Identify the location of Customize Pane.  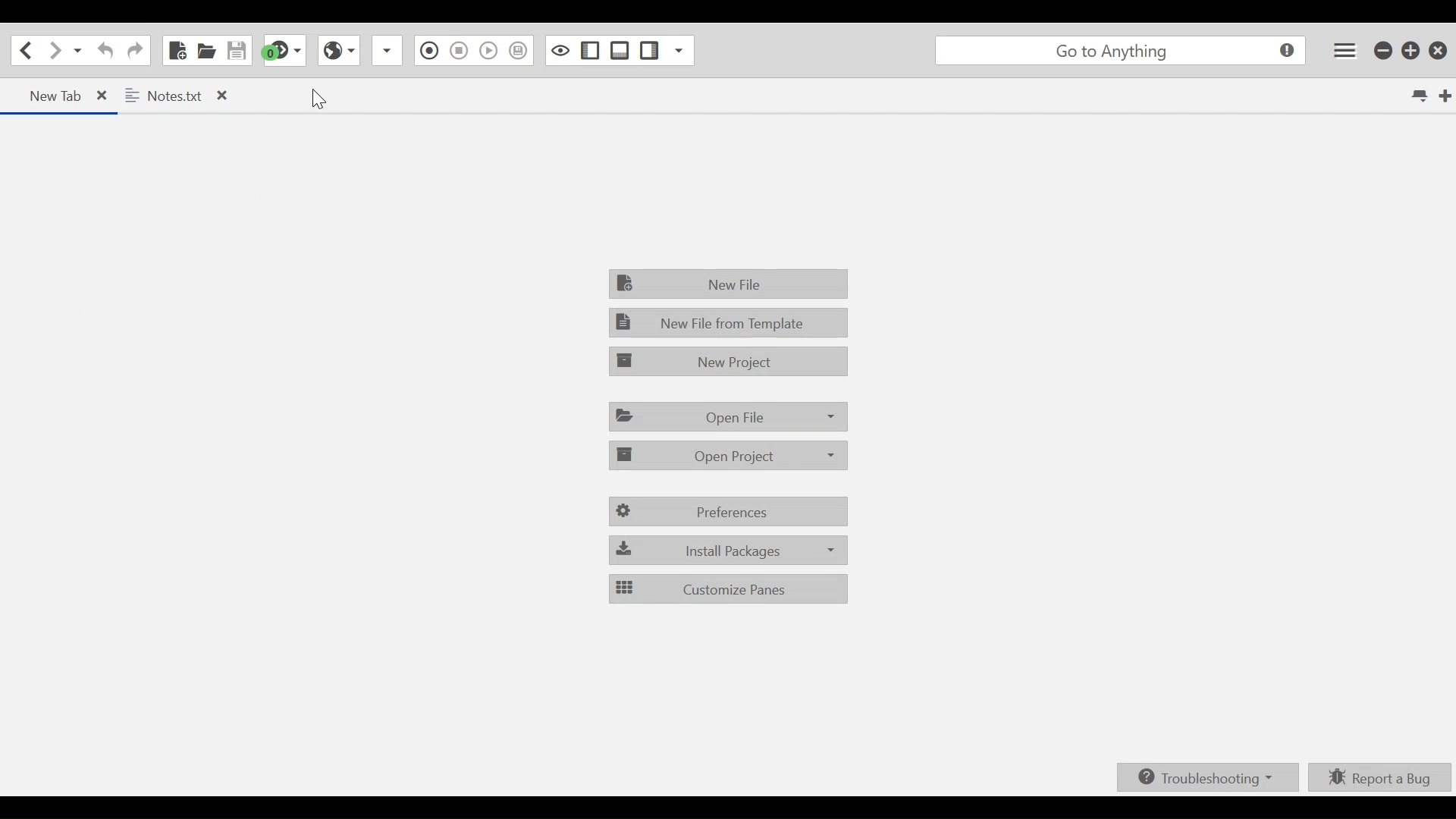
(726, 588).